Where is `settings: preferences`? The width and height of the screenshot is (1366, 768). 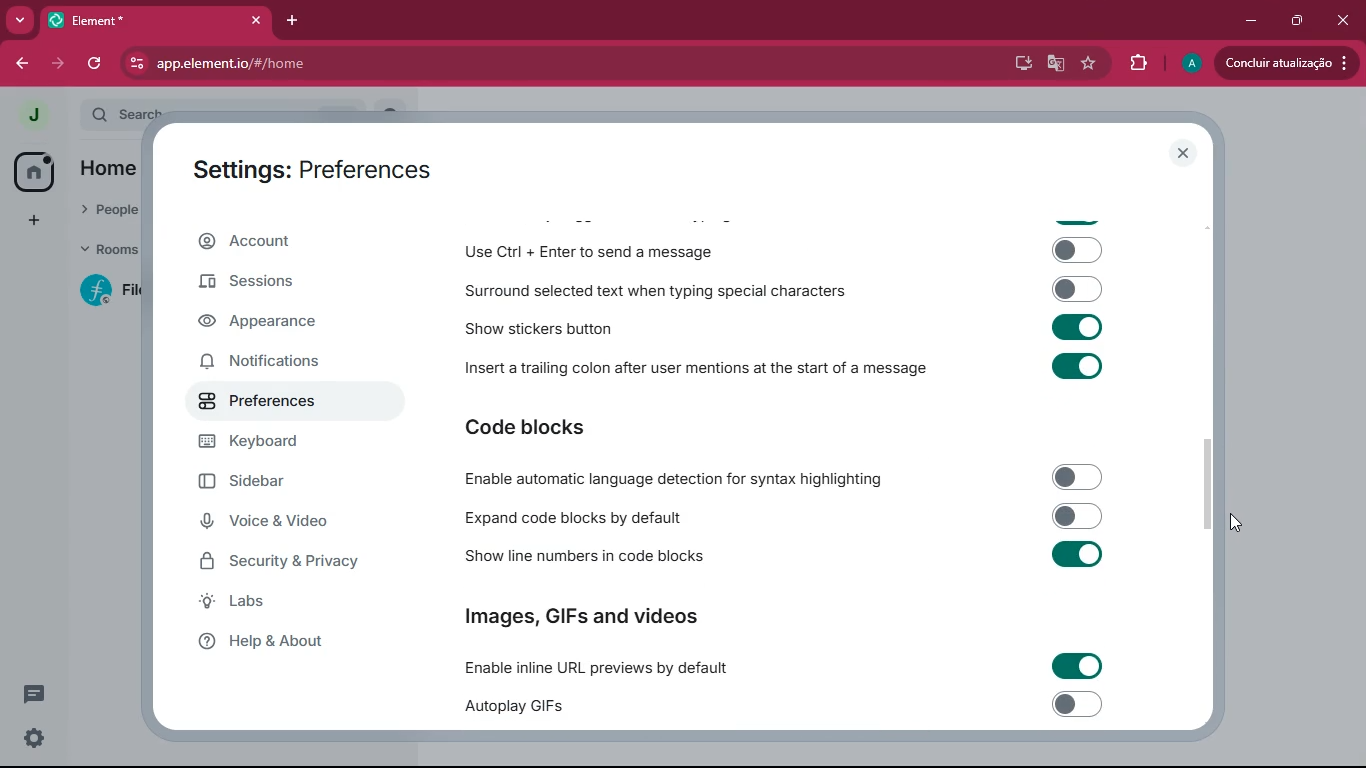 settings: preferences is located at coordinates (310, 166).